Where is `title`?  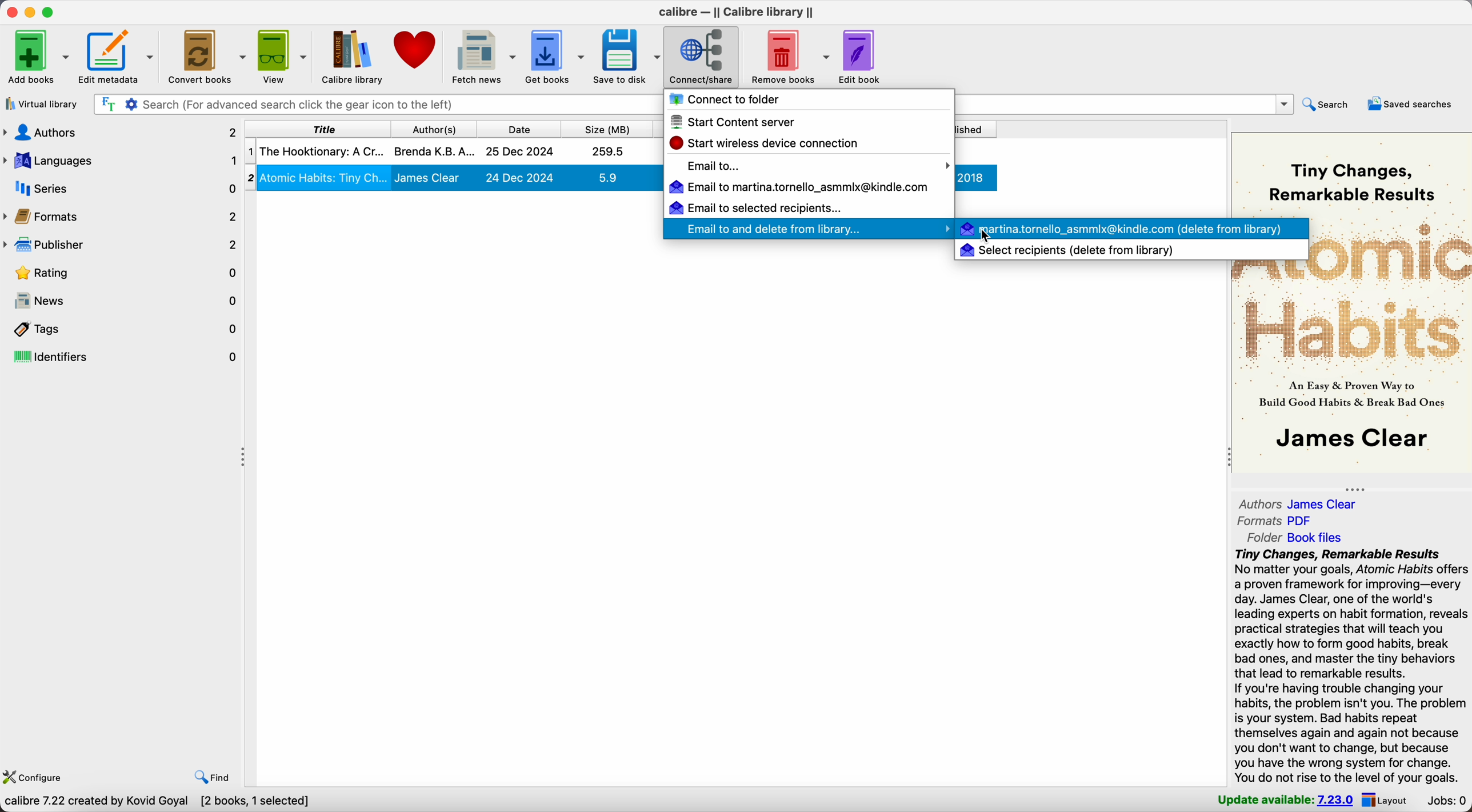 title is located at coordinates (315, 128).